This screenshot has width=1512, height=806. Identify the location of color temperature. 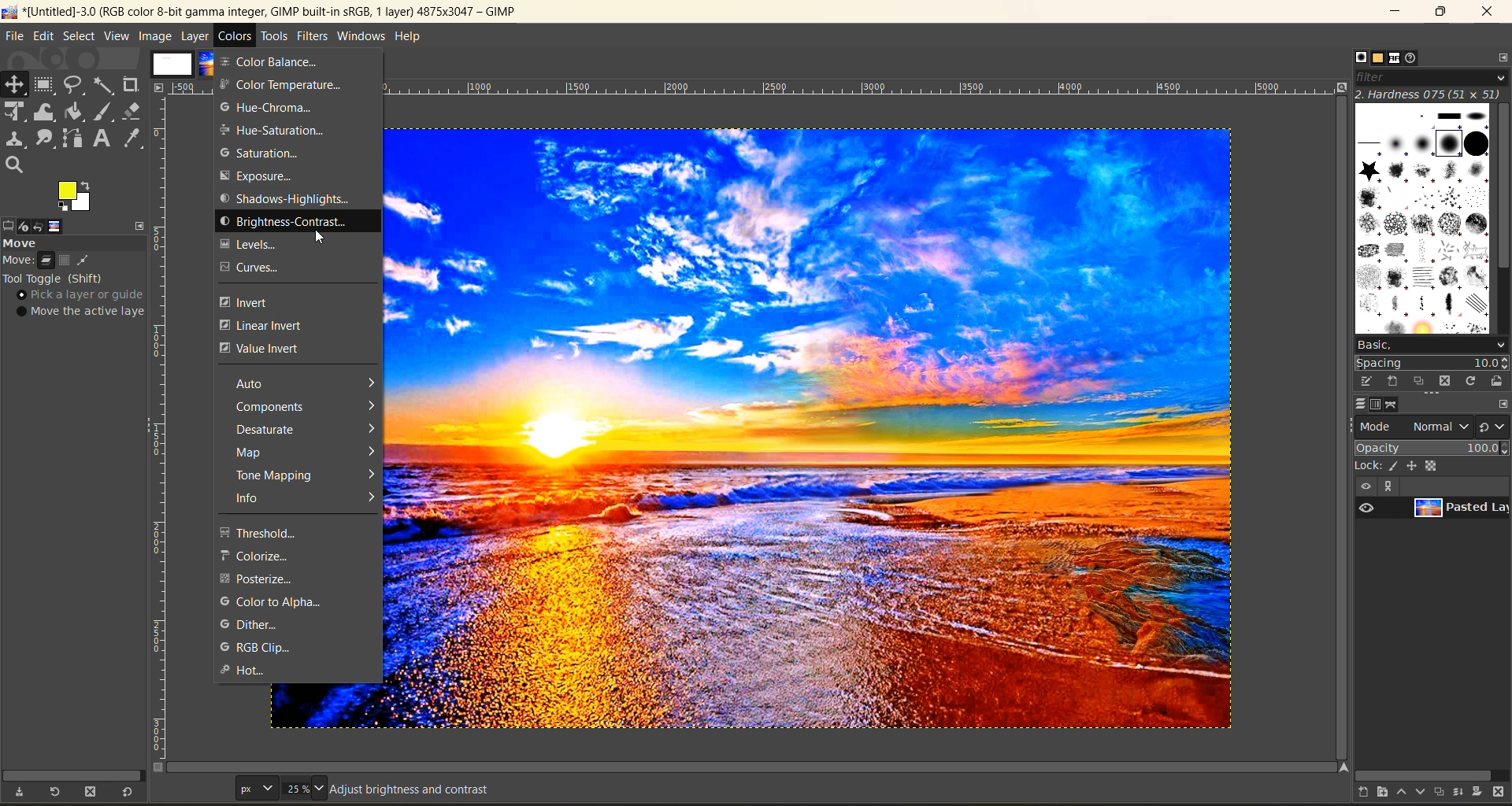
(281, 84).